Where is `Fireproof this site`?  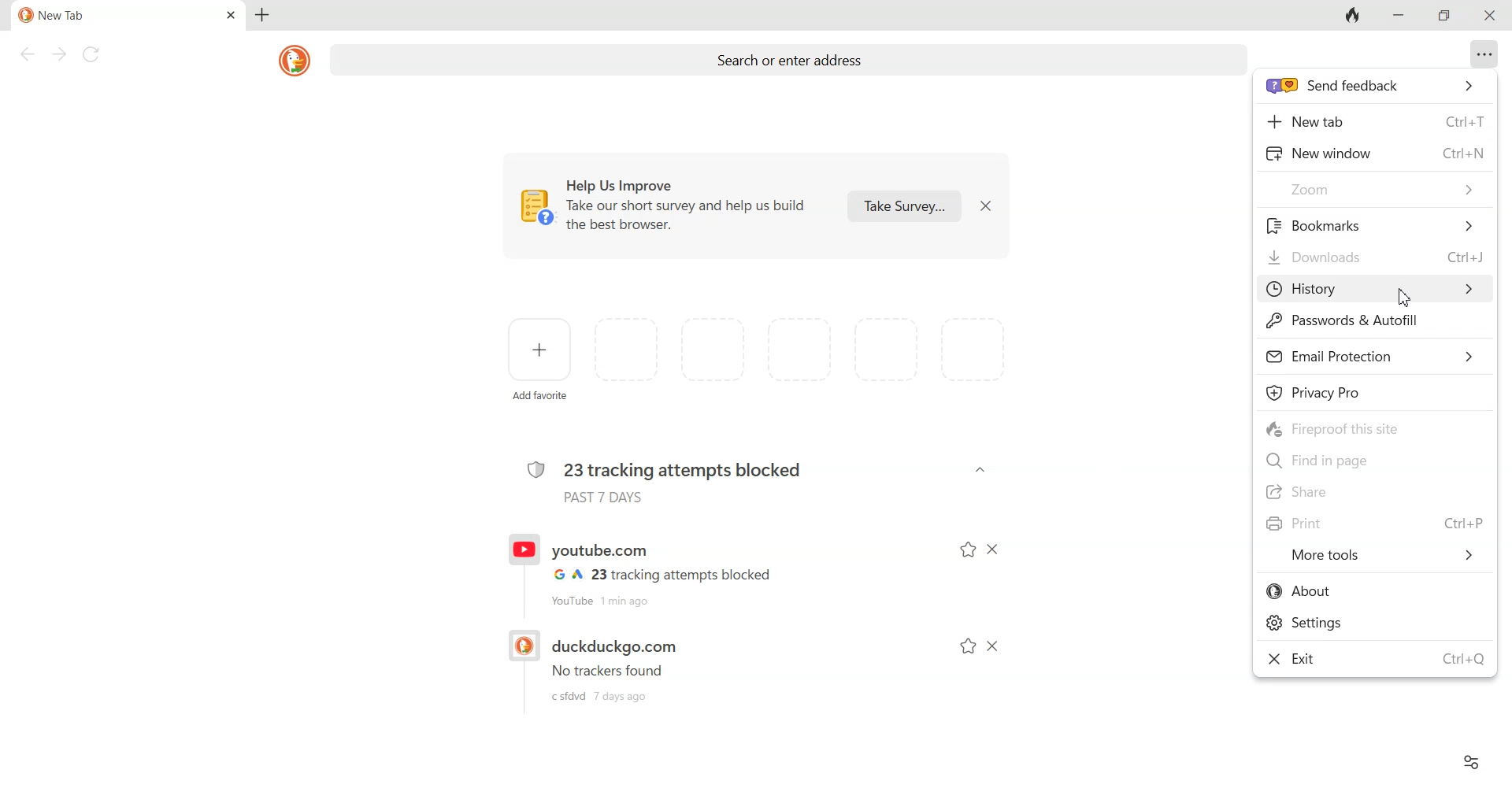 Fireproof this site is located at coordinates (1376, 427).